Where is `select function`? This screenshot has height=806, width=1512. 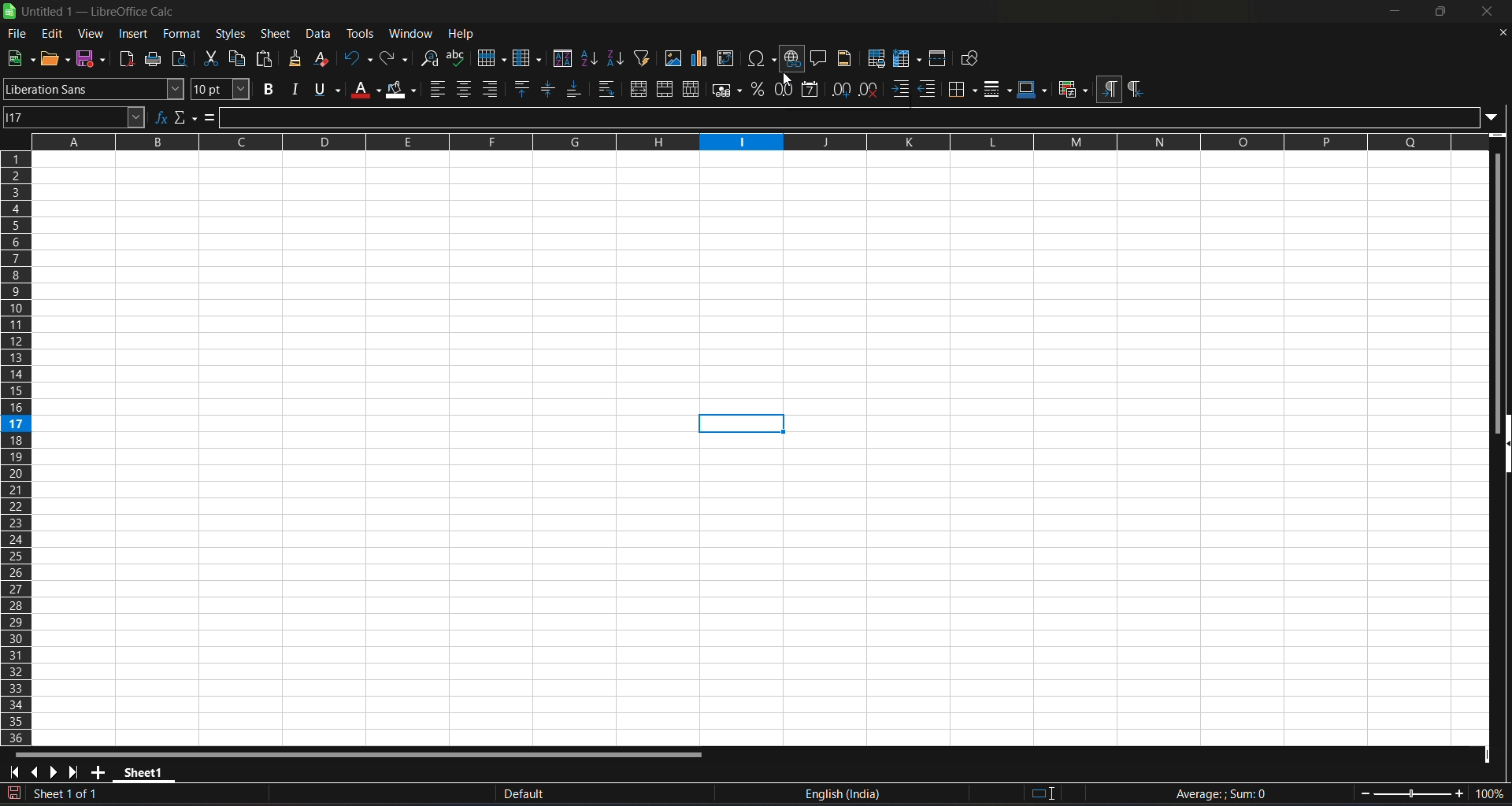 select function is located at coordinates (187, 117).